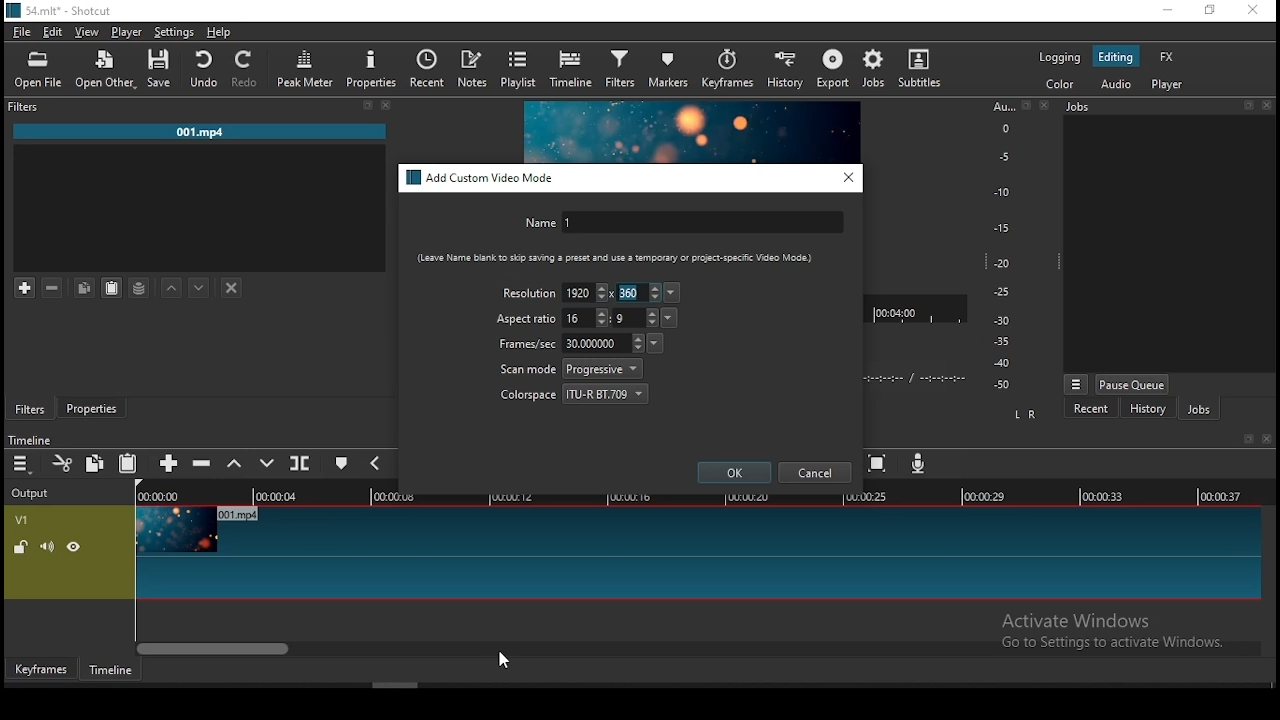 The height and width of the screenshot is (720, 1280). Describe the element at coordinates (47, 546) in the screenshot. I see `volume` at that location.